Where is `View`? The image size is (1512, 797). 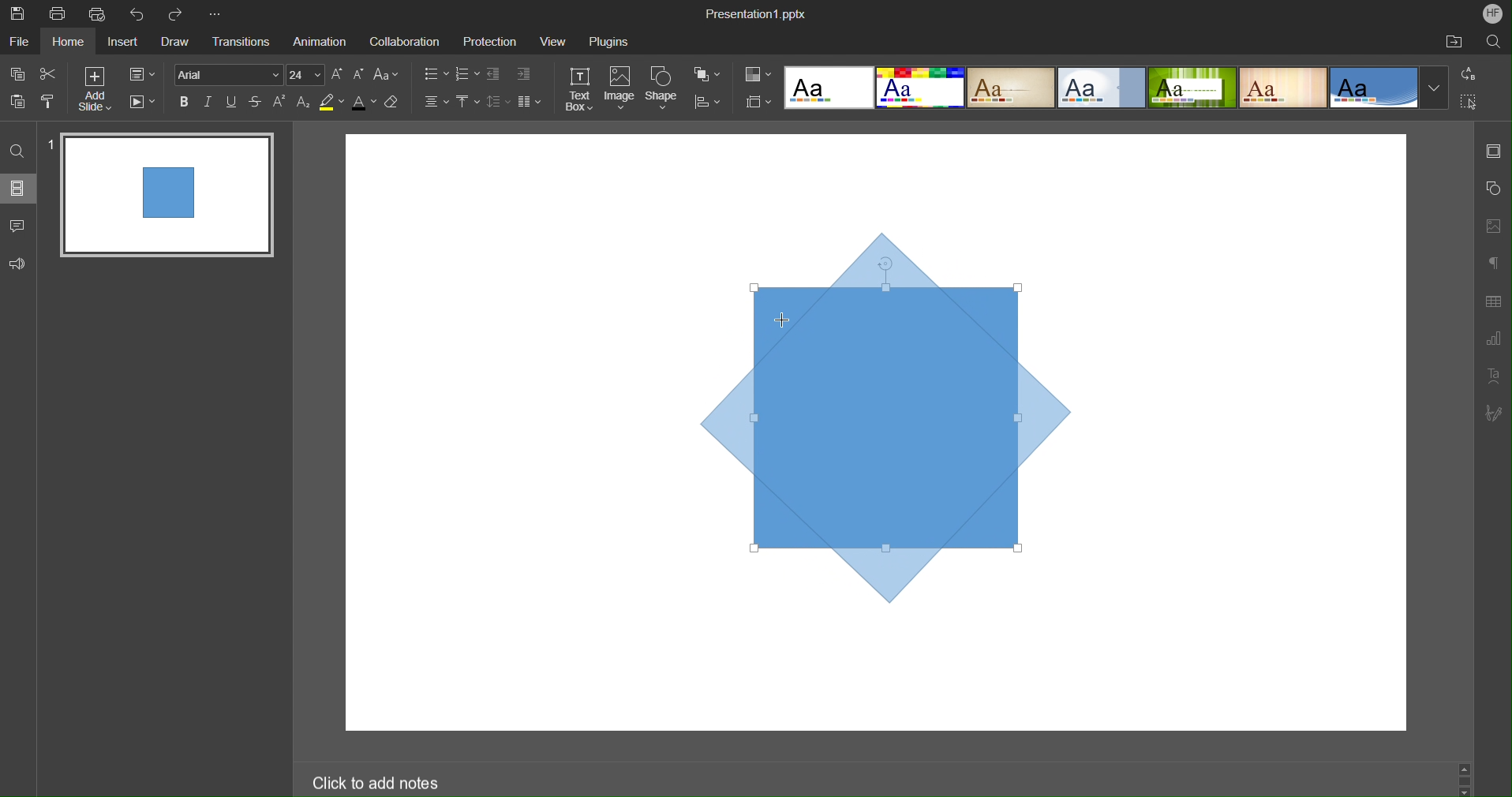
View is located at coordinates (554, 39).